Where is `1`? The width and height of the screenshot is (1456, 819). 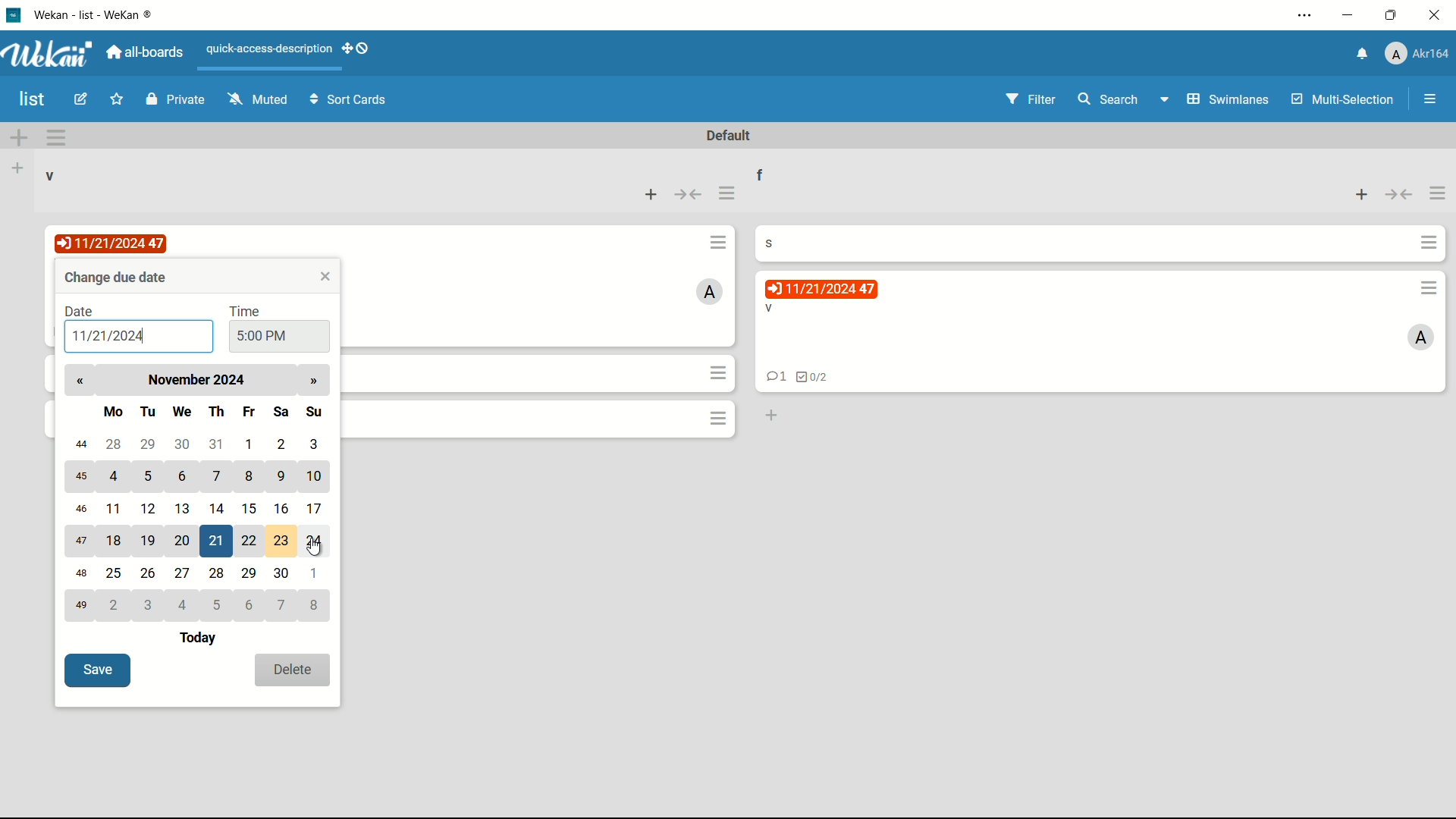
1 is located at coordinates (317, 573).